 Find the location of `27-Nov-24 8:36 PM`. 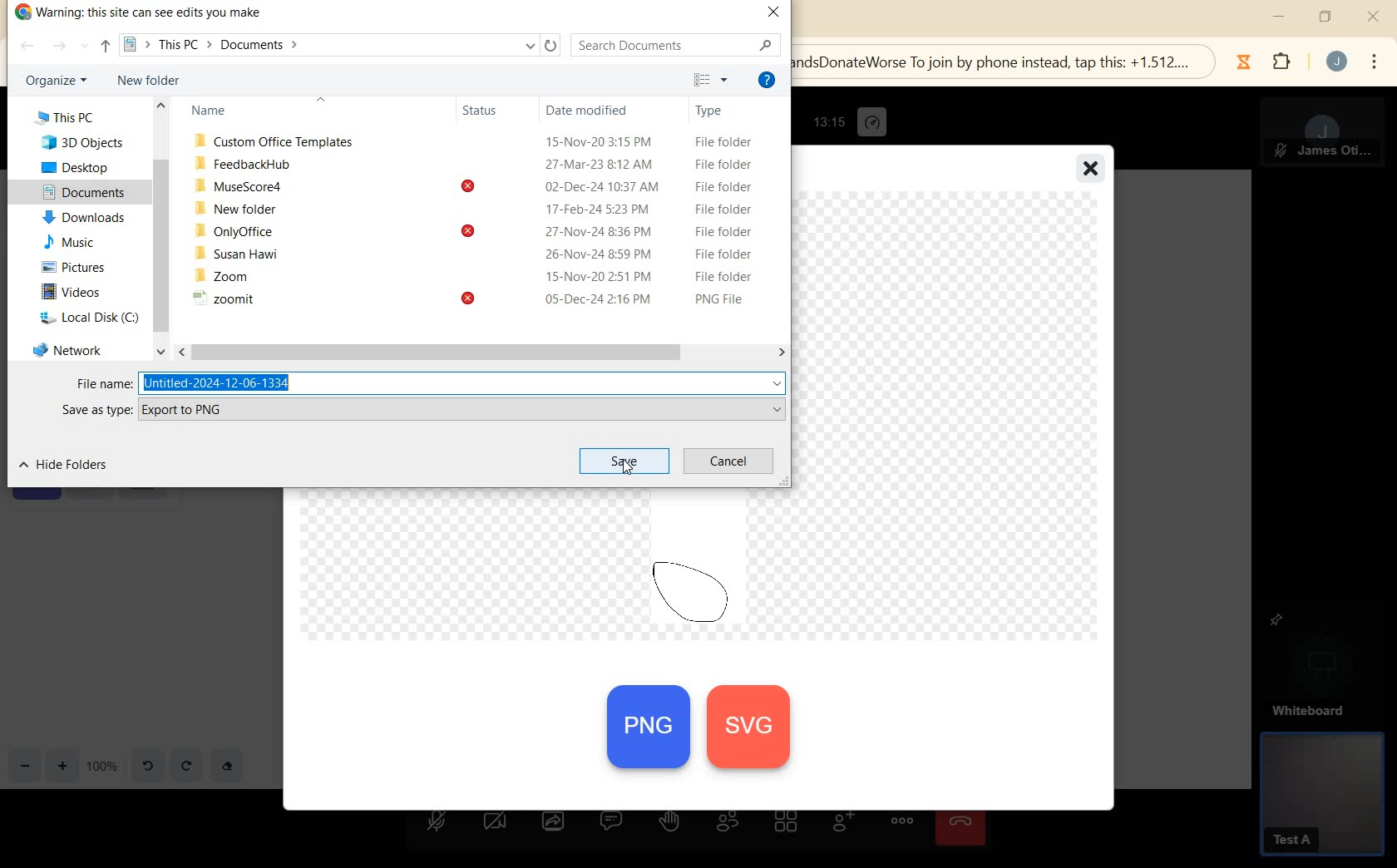

27-Nov-24 8:36 PM is located at coordinates (602, 231).